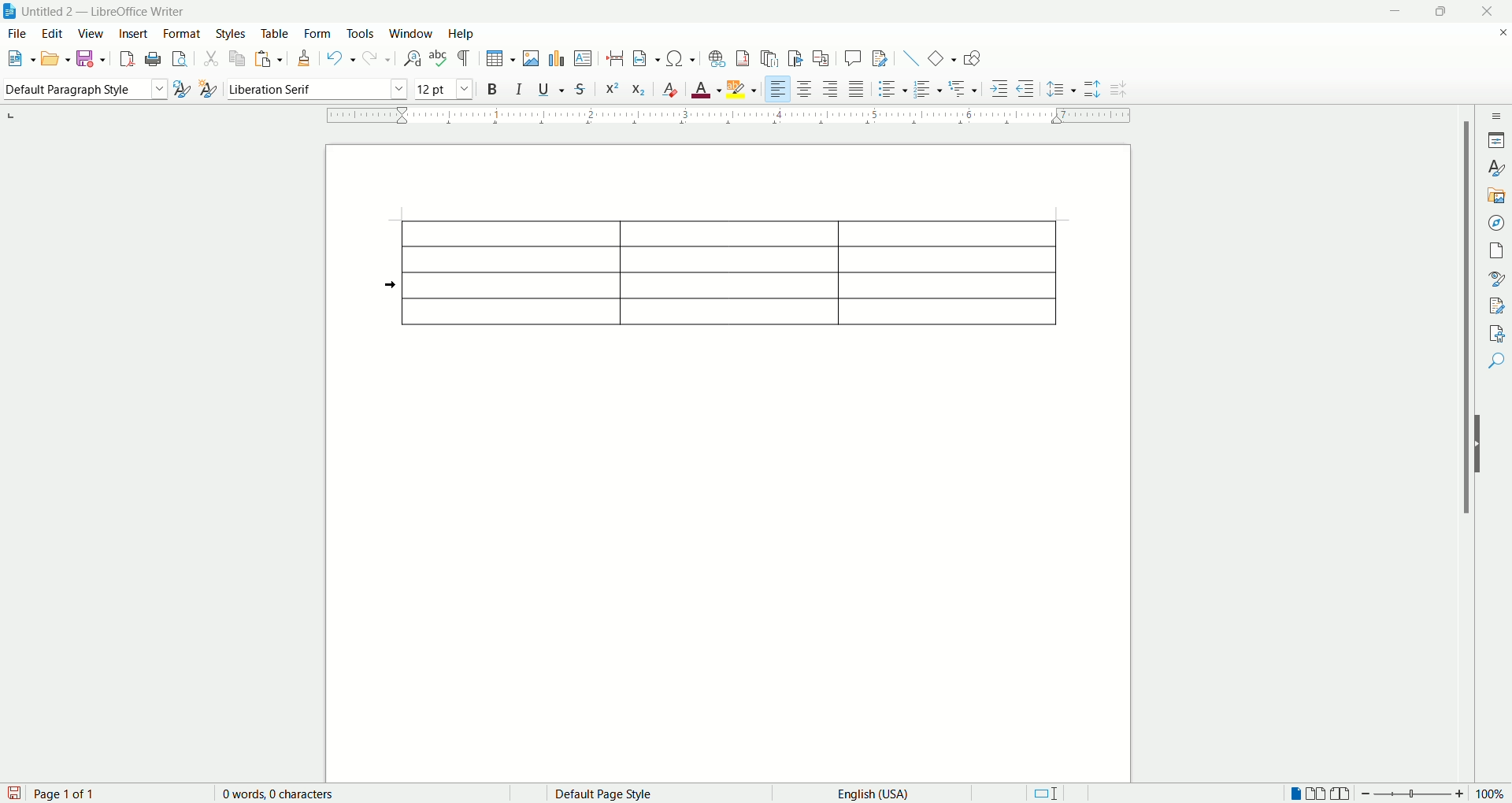  I want to click on insert, so click(133, 35).